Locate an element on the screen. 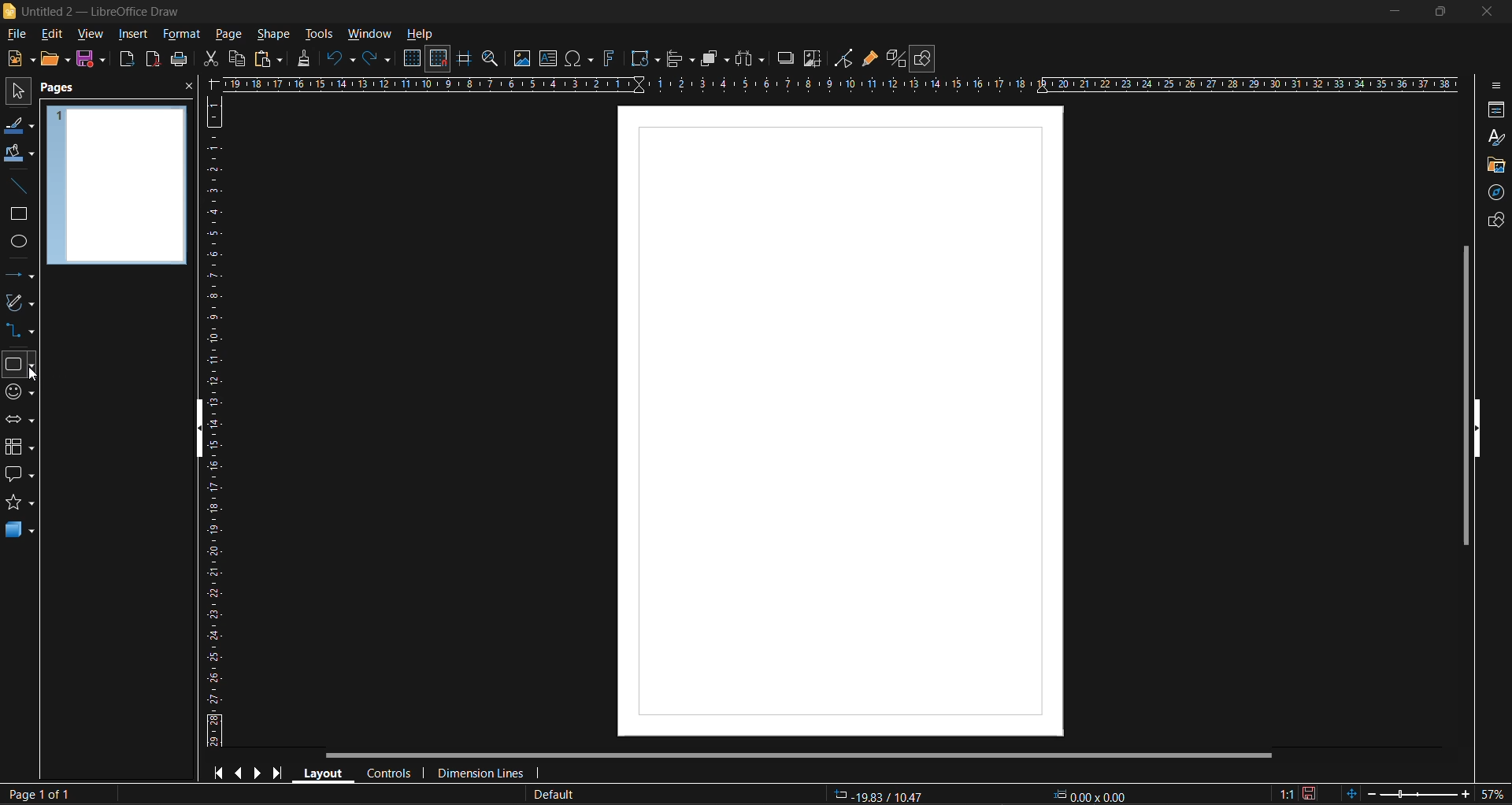 Image resolution: width=1512 pixels, height=805 pixels. format is located at coordinates (180, 35).